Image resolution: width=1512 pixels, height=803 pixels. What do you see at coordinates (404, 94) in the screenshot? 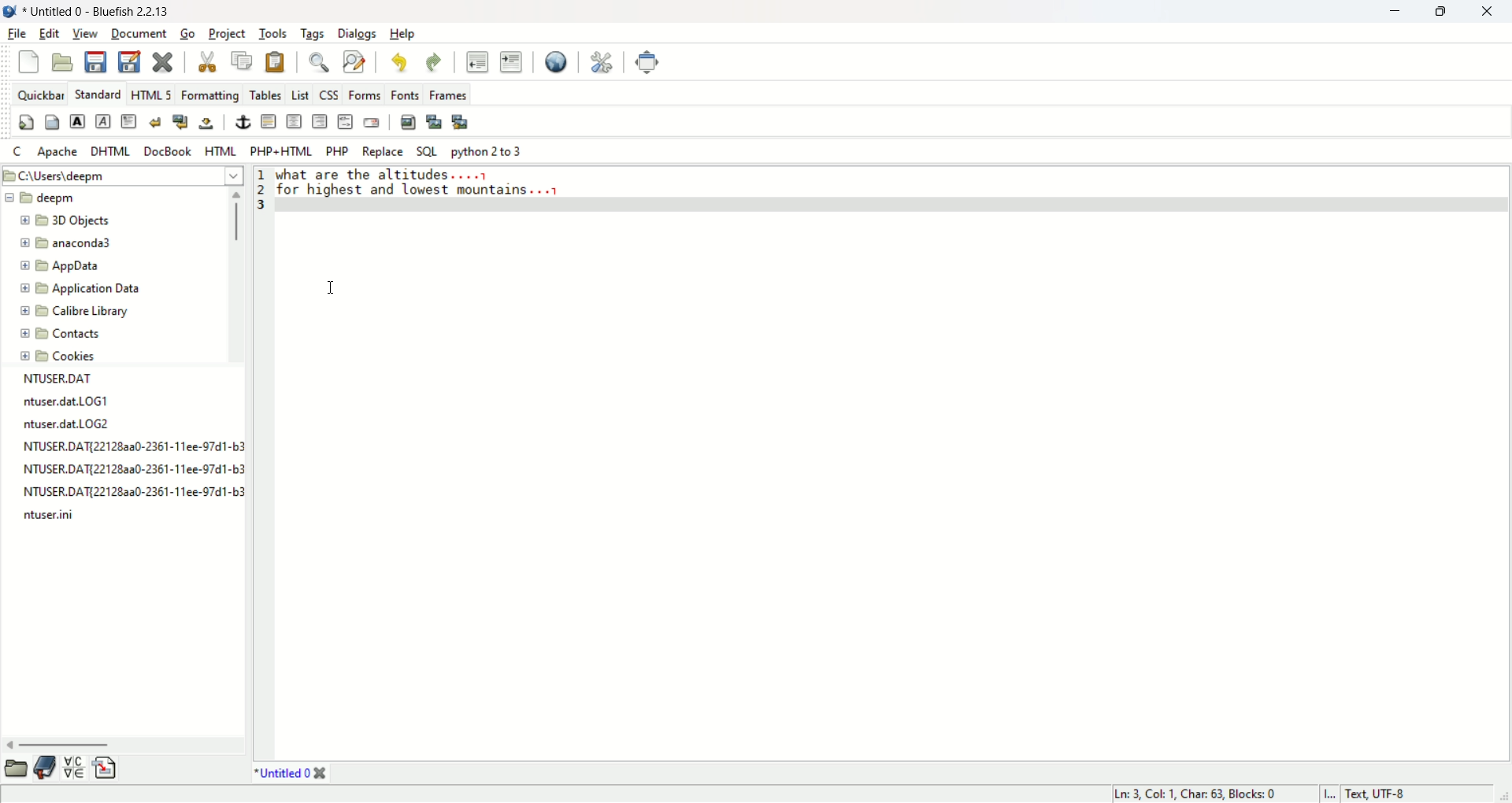
I see `fonts` at bounding box center [404, 94].